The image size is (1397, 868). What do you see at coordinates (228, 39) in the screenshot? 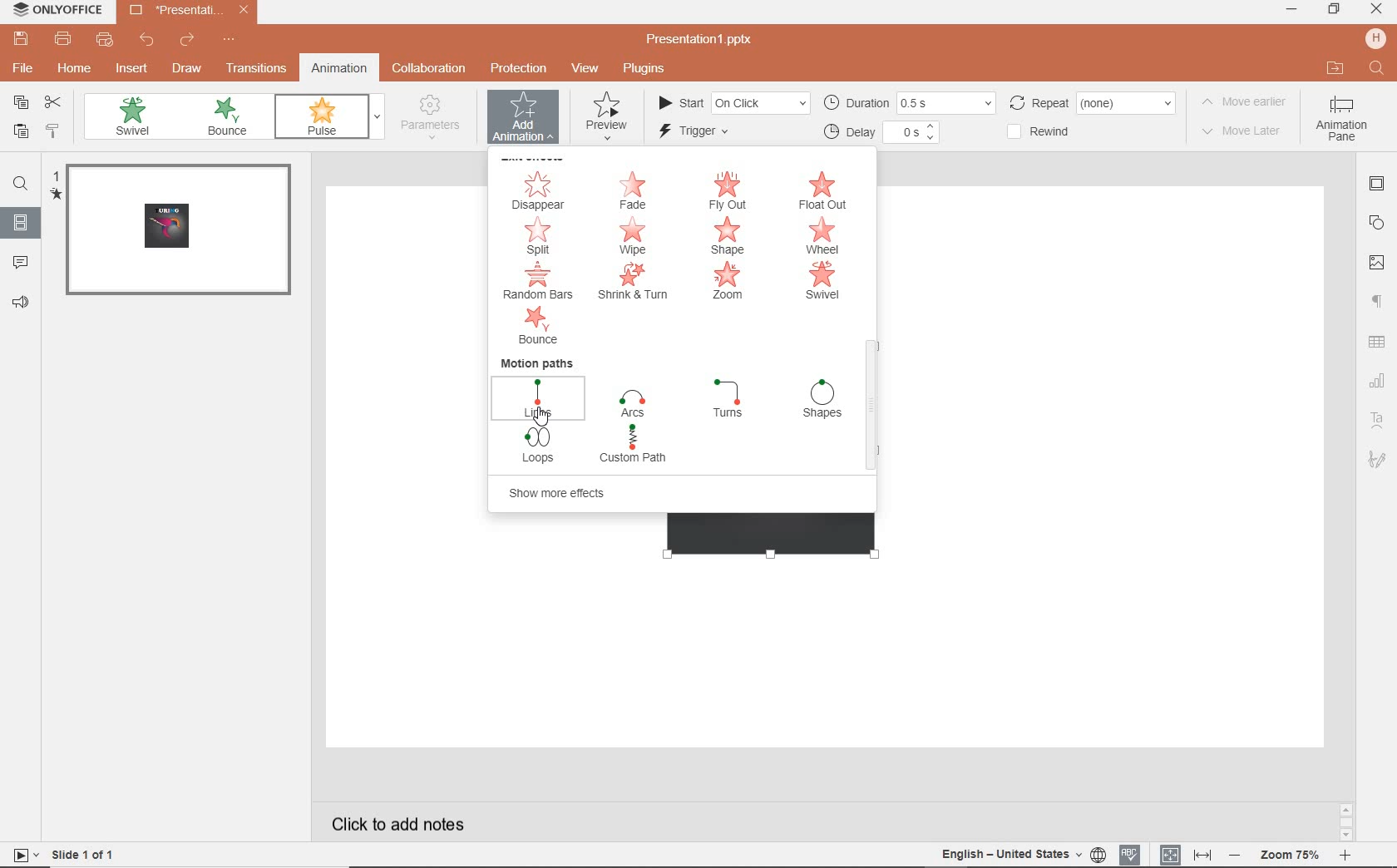
I see `customize quick access toolbar` at bounding box center [228, 39].